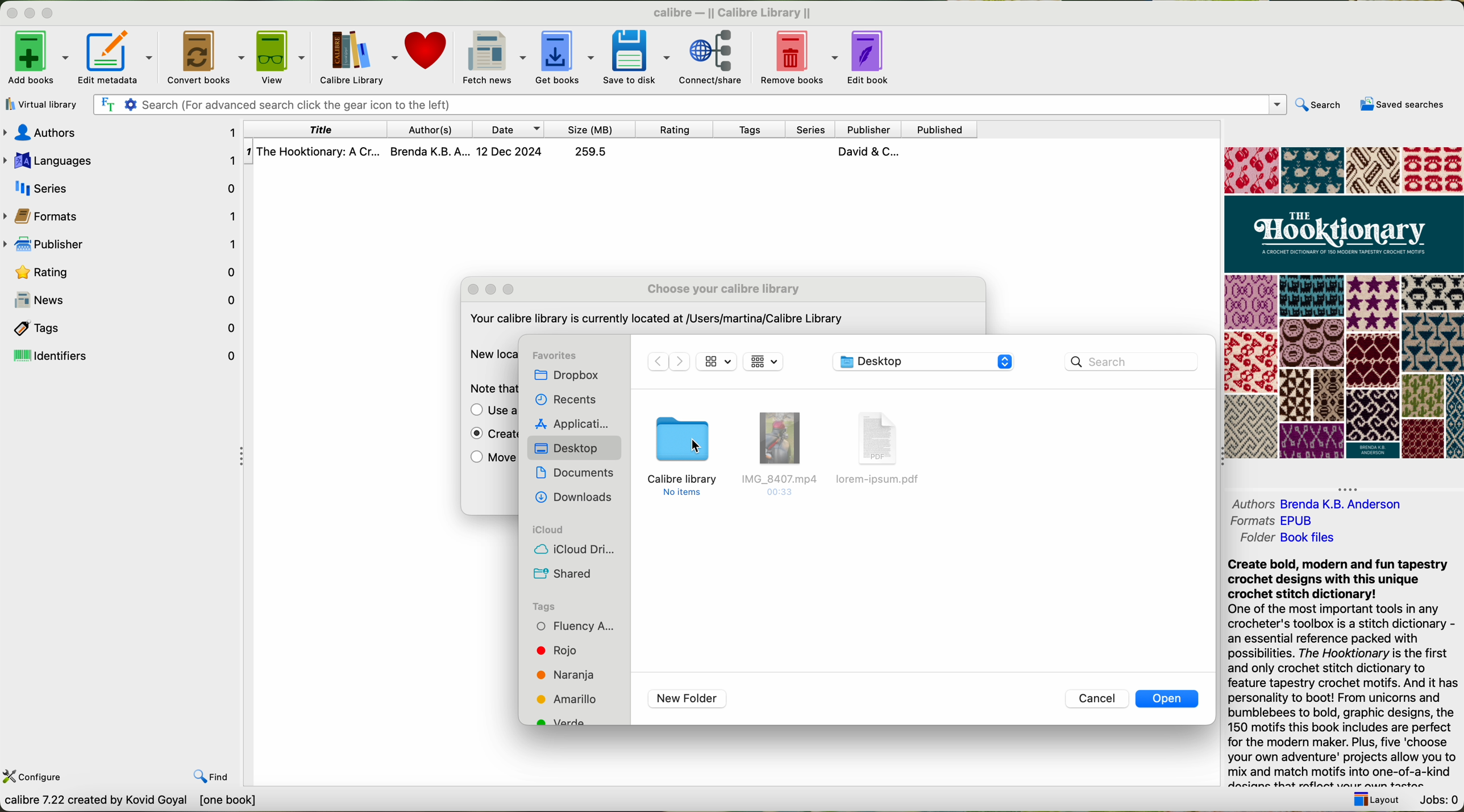 Image resolution: width=1464 pixels, height=812 pixels. Describe the element at coordinates (713, 59) in the screenshot. I see `connect/share` at that location.